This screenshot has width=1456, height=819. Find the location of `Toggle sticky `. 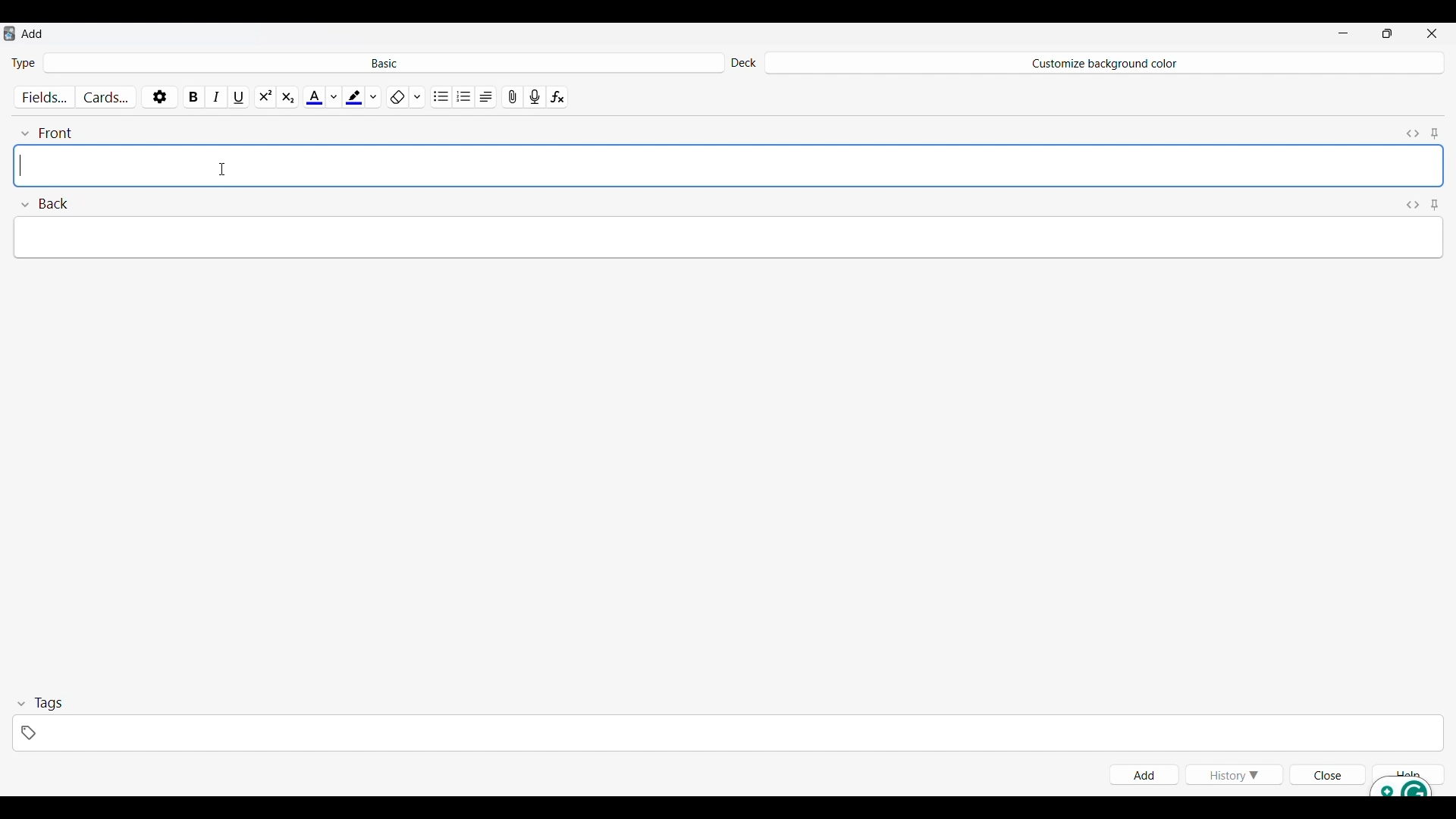

Toggle sticky  is located at coordinates (1434, 132).